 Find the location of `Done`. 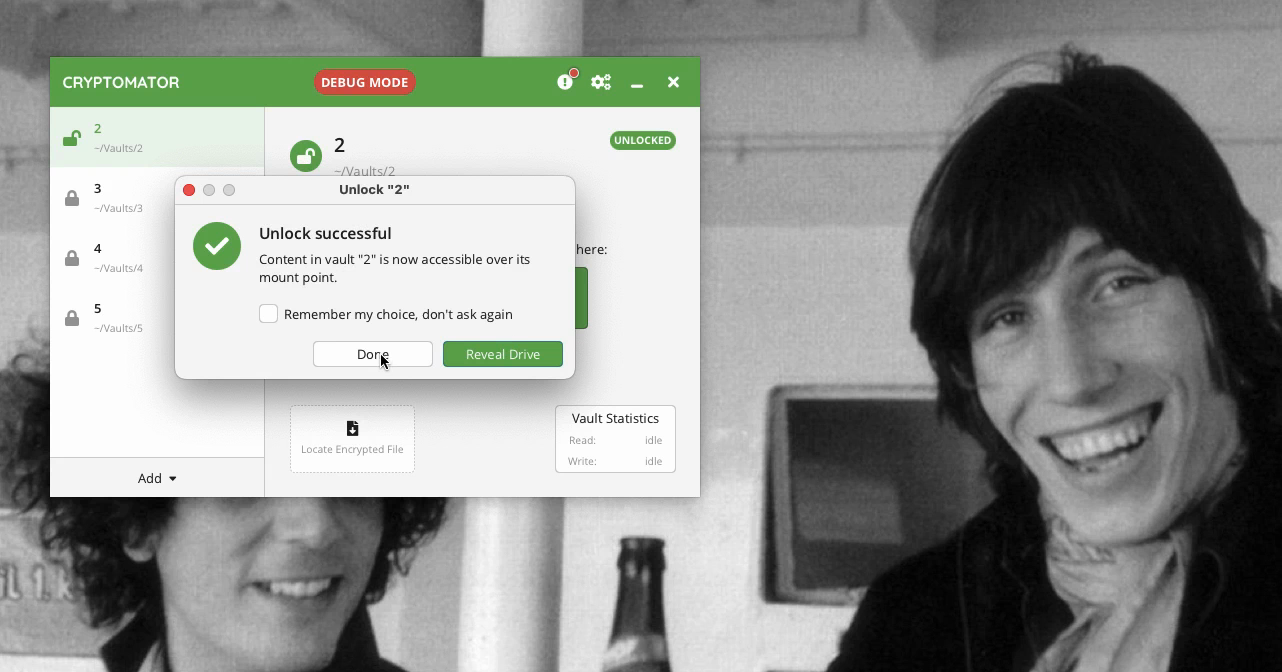

Done is located at coordinates (373, 355).